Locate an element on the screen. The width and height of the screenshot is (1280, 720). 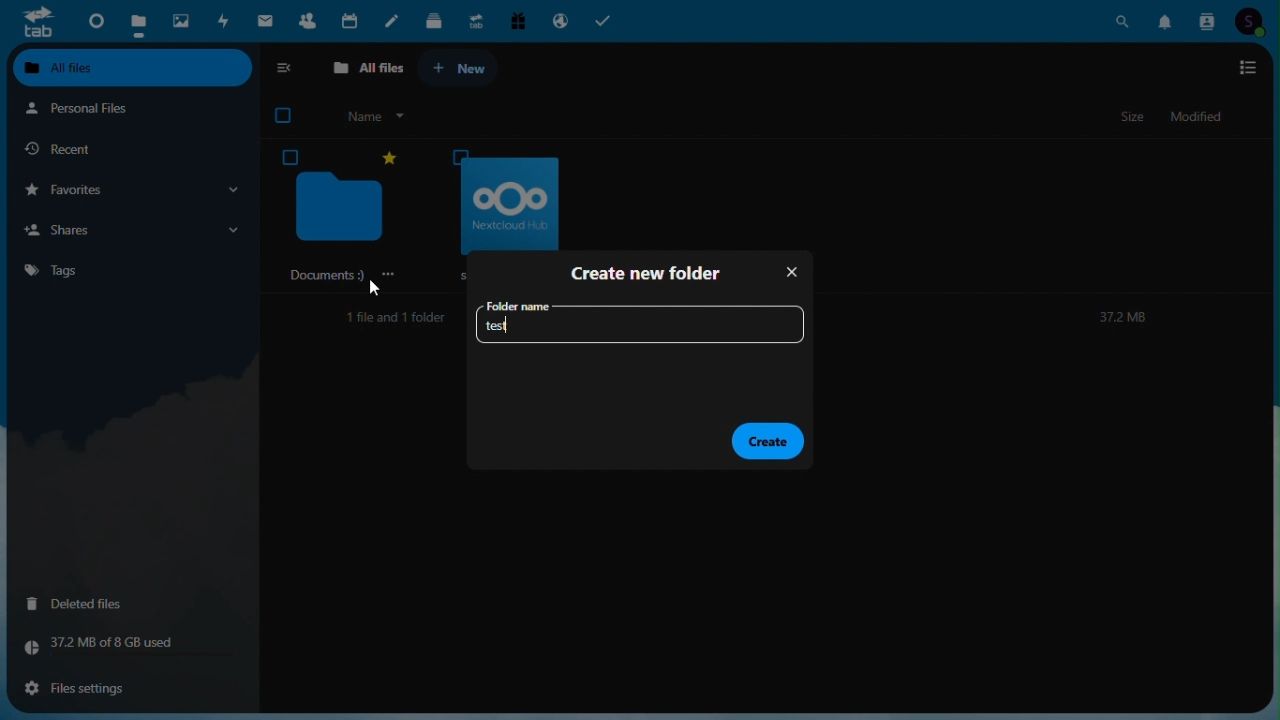
Tags is located at coordinates (128, 269).